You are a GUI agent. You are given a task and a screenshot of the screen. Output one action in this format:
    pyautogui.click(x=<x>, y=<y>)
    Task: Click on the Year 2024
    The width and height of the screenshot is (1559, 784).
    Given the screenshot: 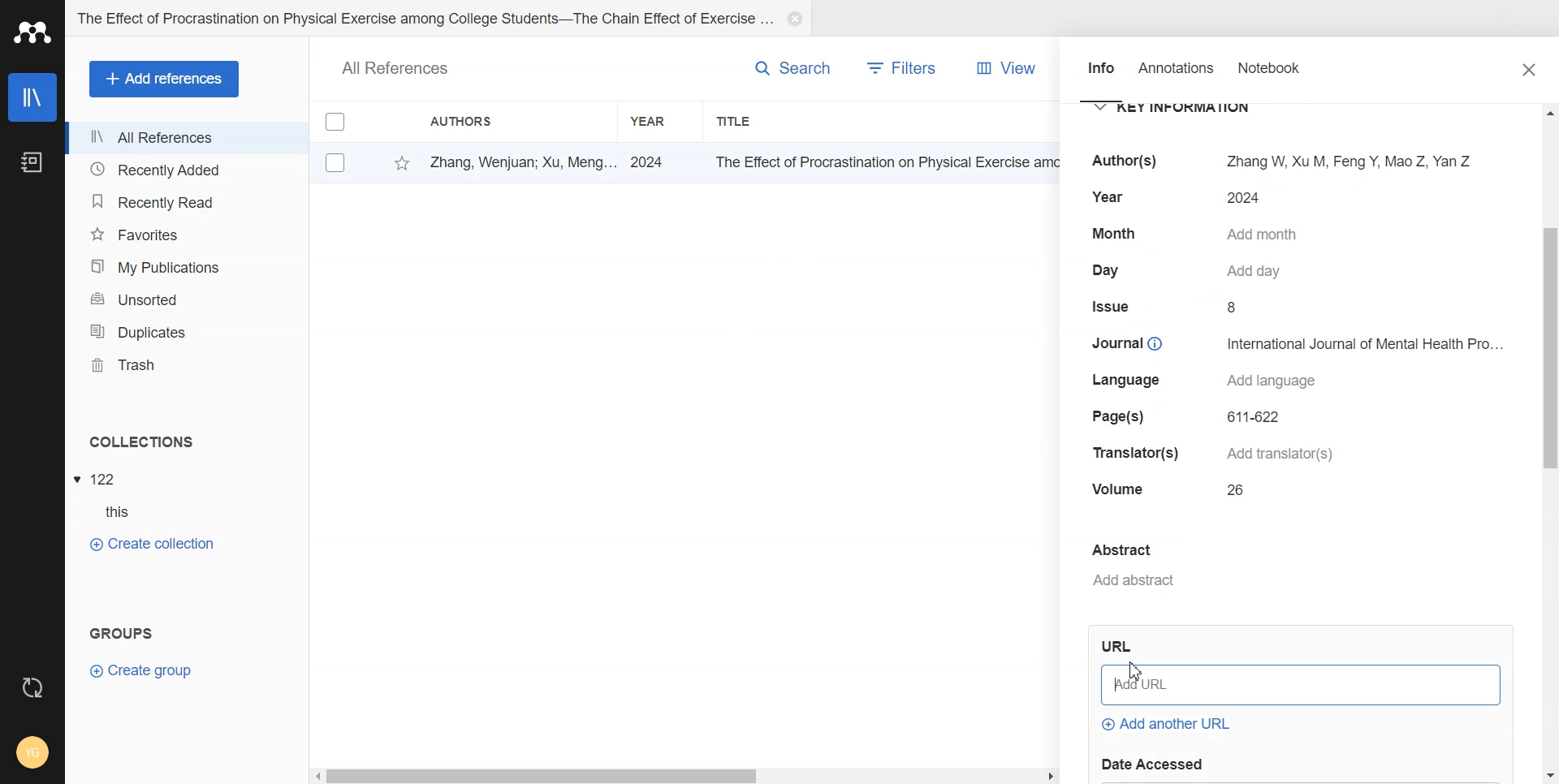 What is the action you would take?
    pyautogui.click(x=1172, y=199)
    